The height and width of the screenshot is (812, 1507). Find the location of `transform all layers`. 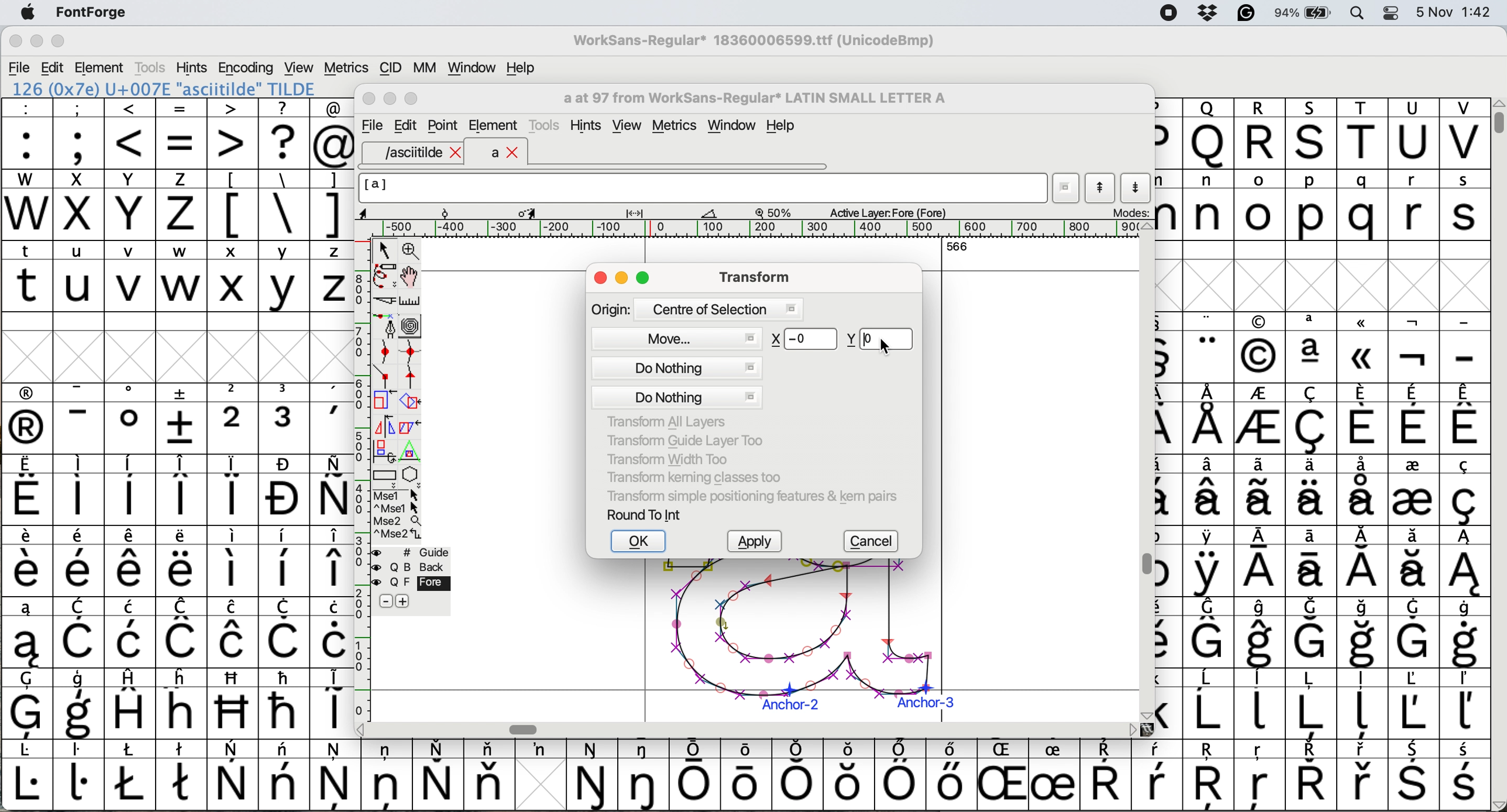

transform all layers is located at coordinates (670, 422).